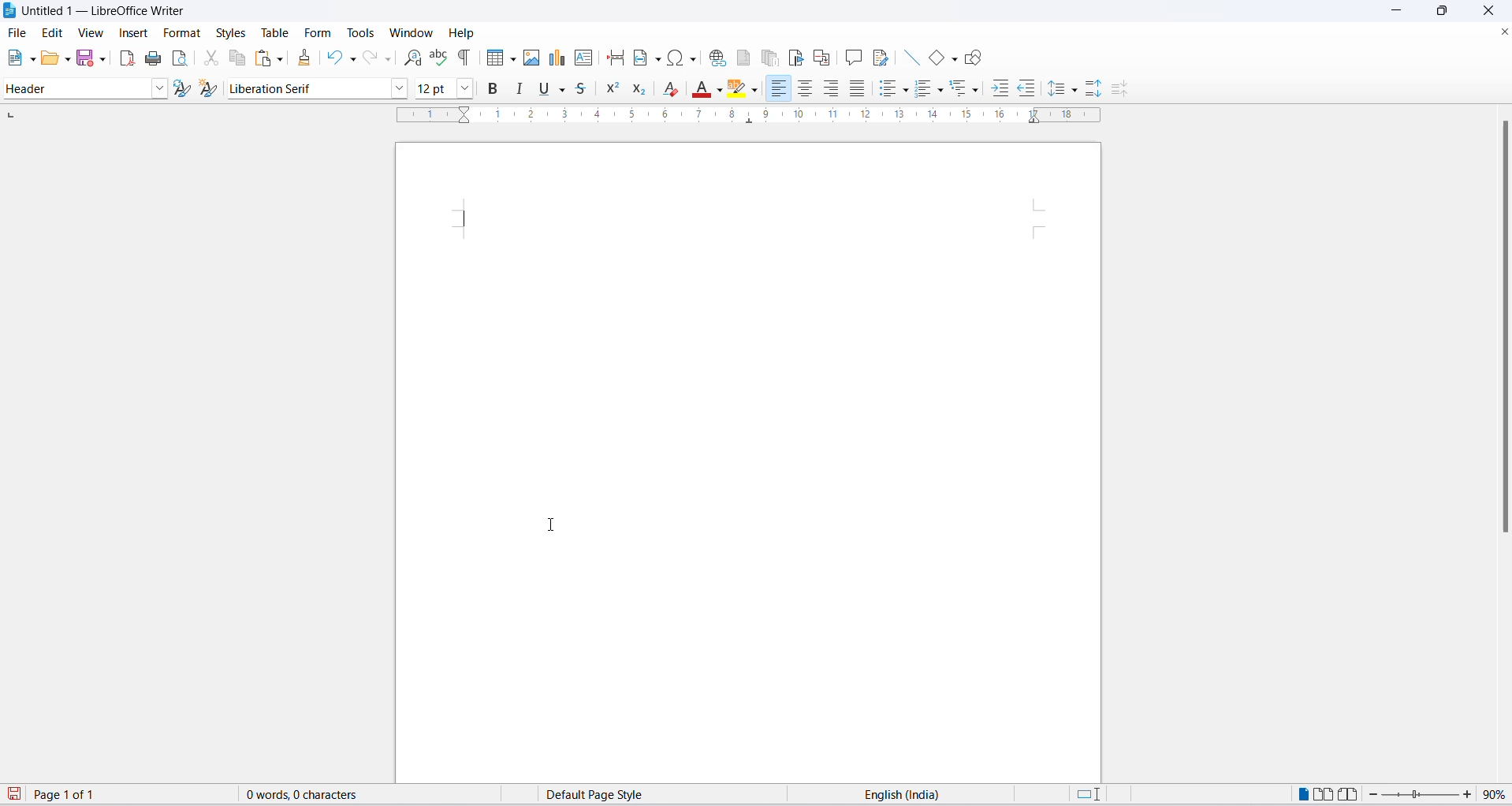 This screenshot has width=1512, height=806. What do you see at coordinates (512, 59) in the screenshot?
I see `table grid` at bounding box center [512, 59].